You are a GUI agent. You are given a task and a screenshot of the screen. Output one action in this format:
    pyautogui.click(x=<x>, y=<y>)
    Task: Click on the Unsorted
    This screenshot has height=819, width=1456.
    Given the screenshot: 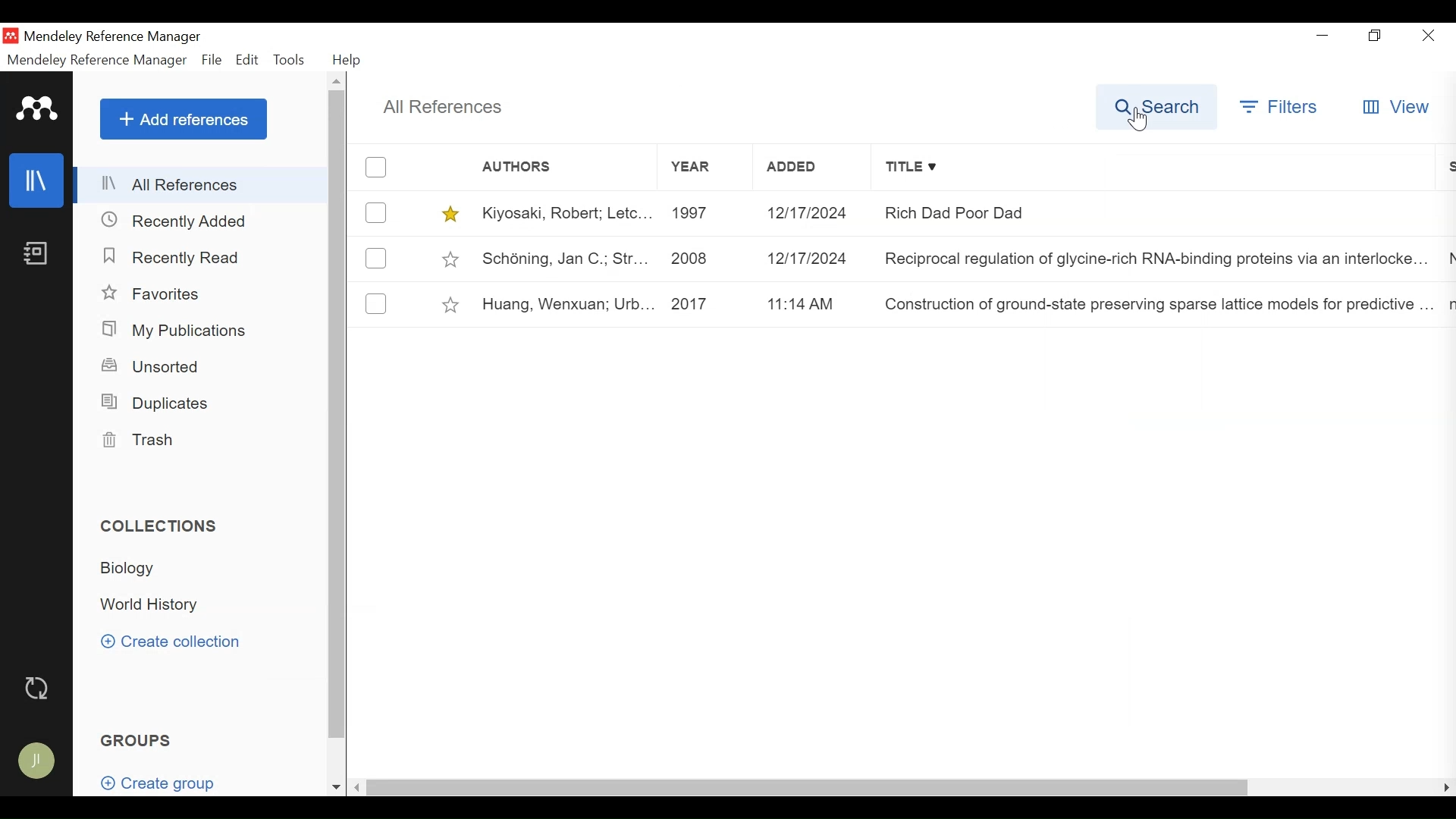 What is the action you would take?
    pyautogui.click(x=158, y=366)
    